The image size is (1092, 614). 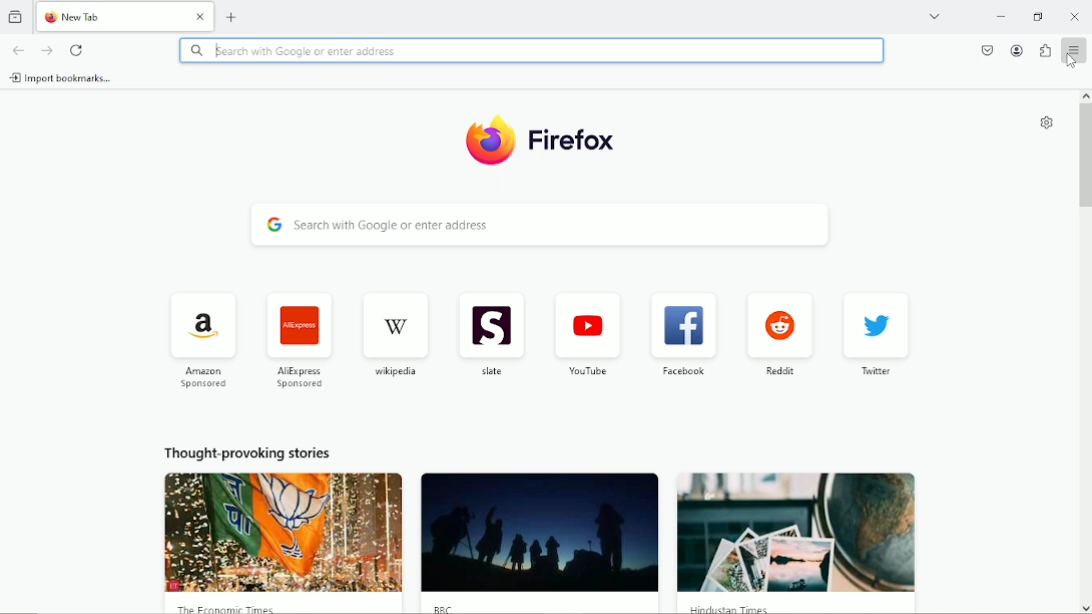 What do you see at coordinates (530, 51) in the screenshot?
I see `search with Google or enter address` at bounding box center [530, 51].